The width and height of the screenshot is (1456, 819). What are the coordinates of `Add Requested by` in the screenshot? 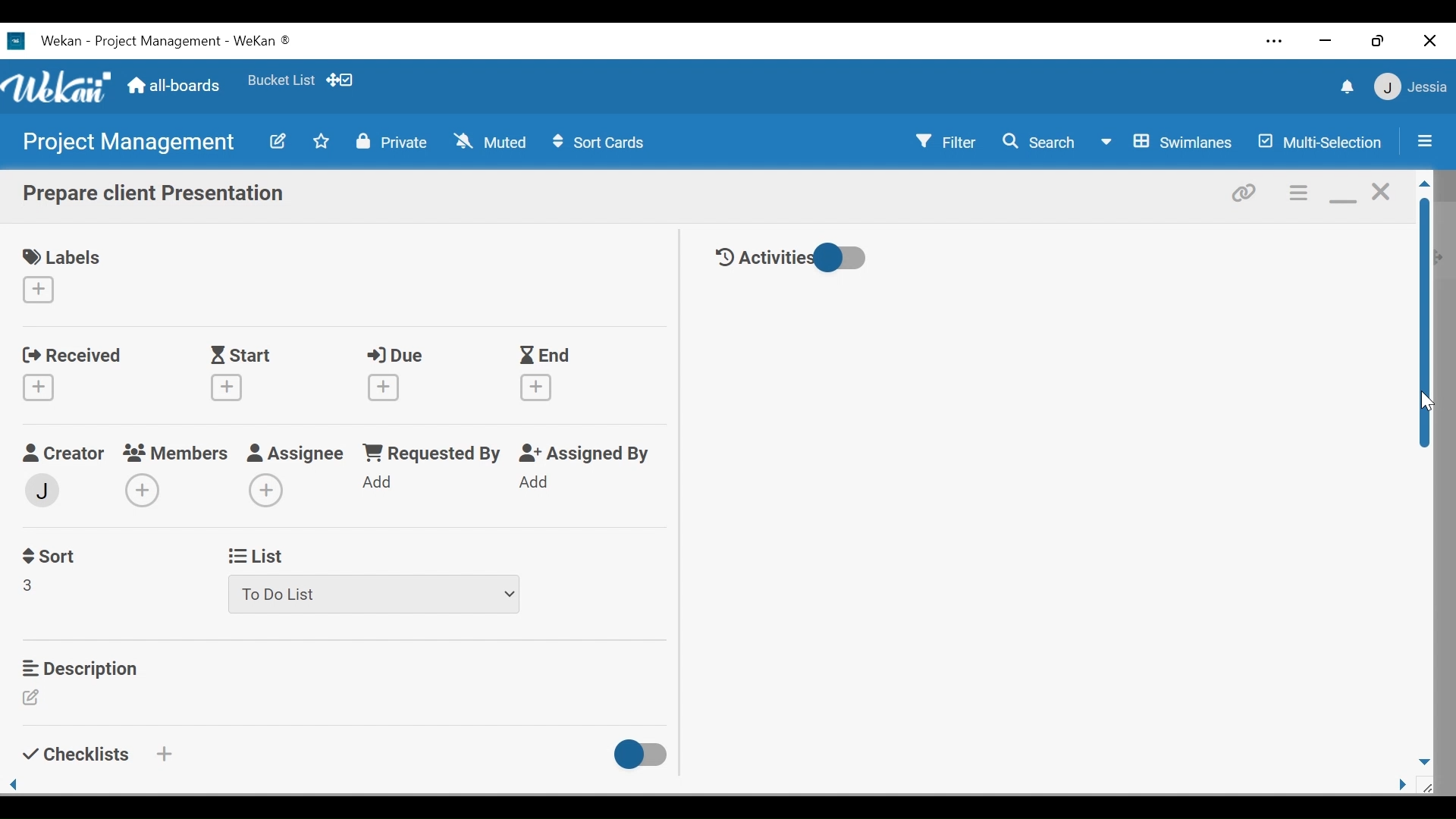 It's located at (381, 482).